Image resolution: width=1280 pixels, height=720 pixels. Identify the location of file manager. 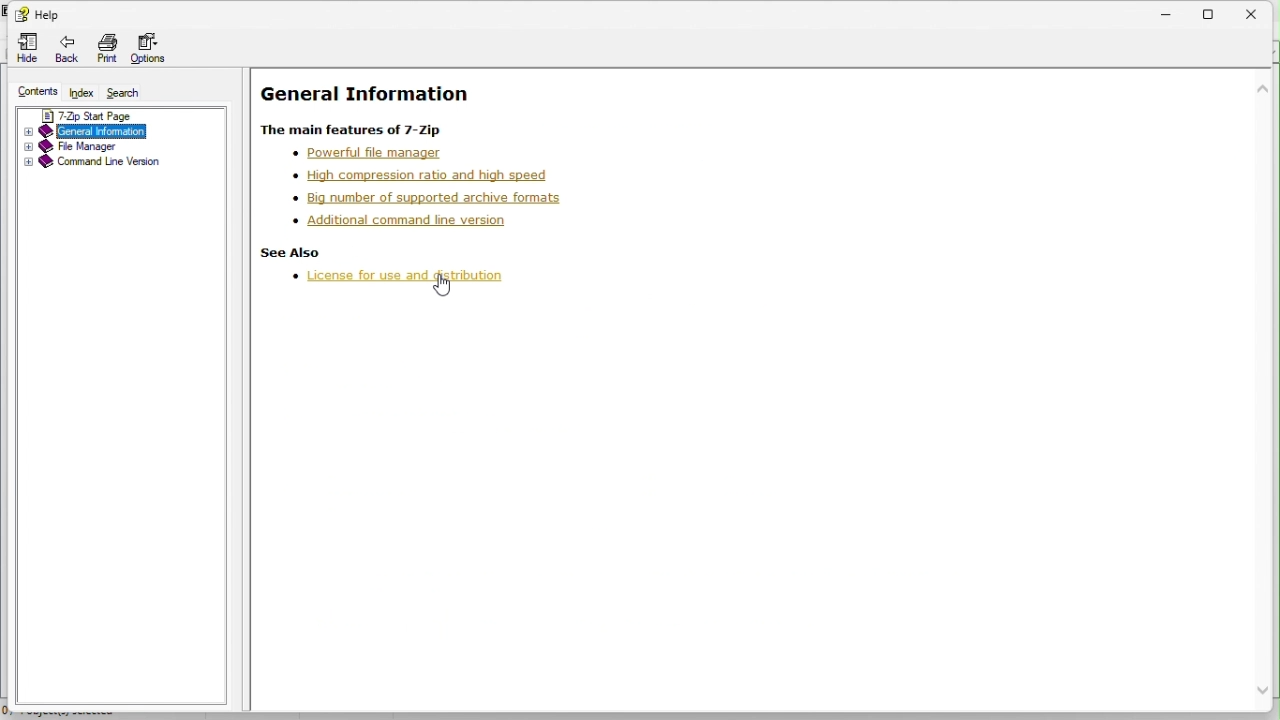
(123, 147).